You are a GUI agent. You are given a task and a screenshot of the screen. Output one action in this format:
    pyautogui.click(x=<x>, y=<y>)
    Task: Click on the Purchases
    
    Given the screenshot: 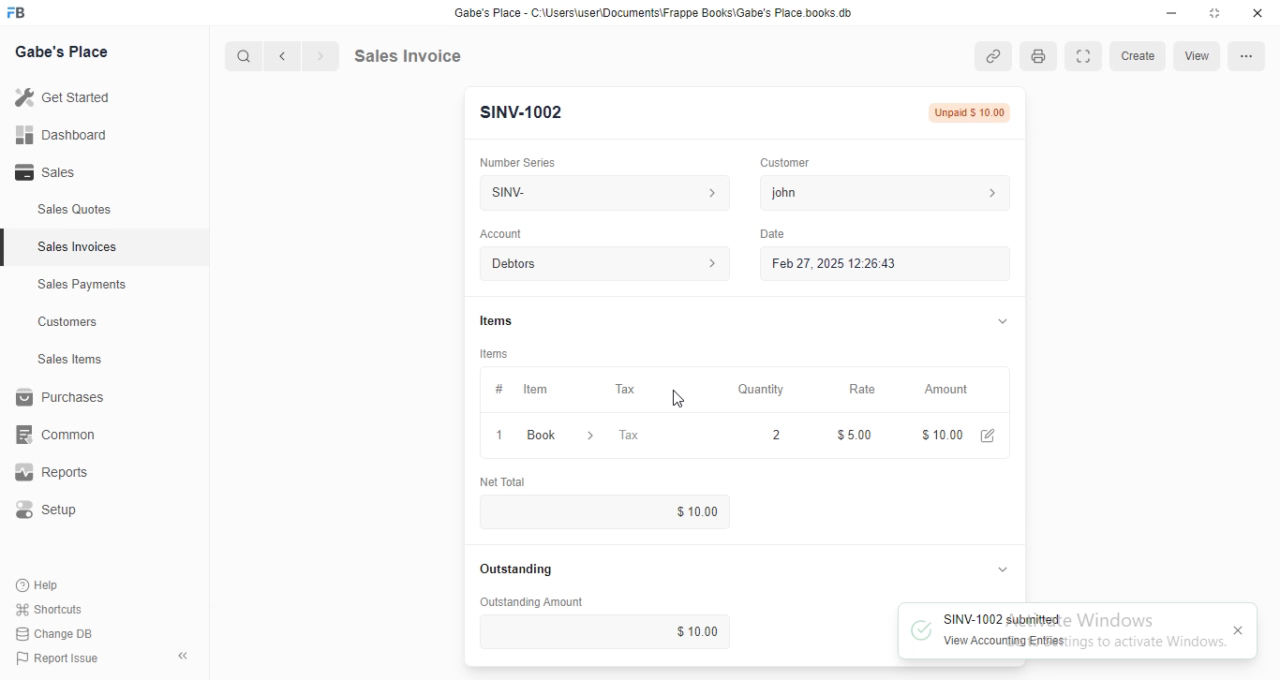 What is the action you would take?
    pyautogui.click(x=59, y=397)
    